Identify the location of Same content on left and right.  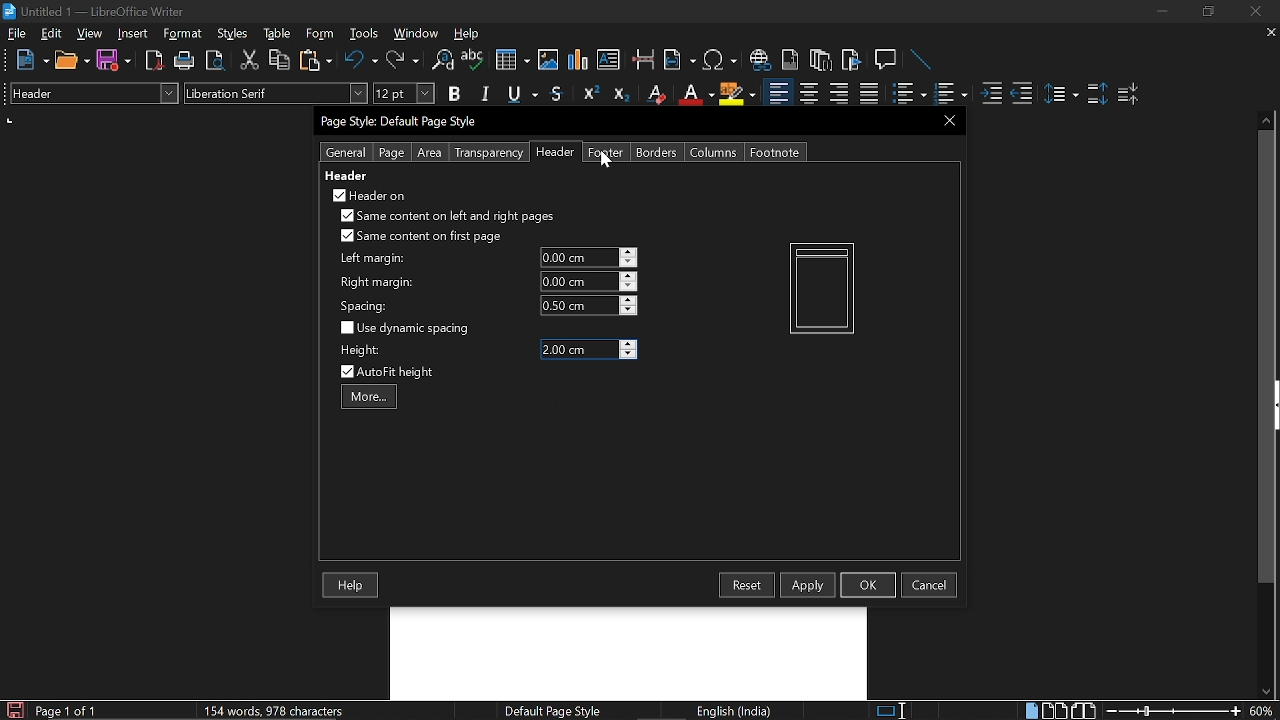
(446, 218).